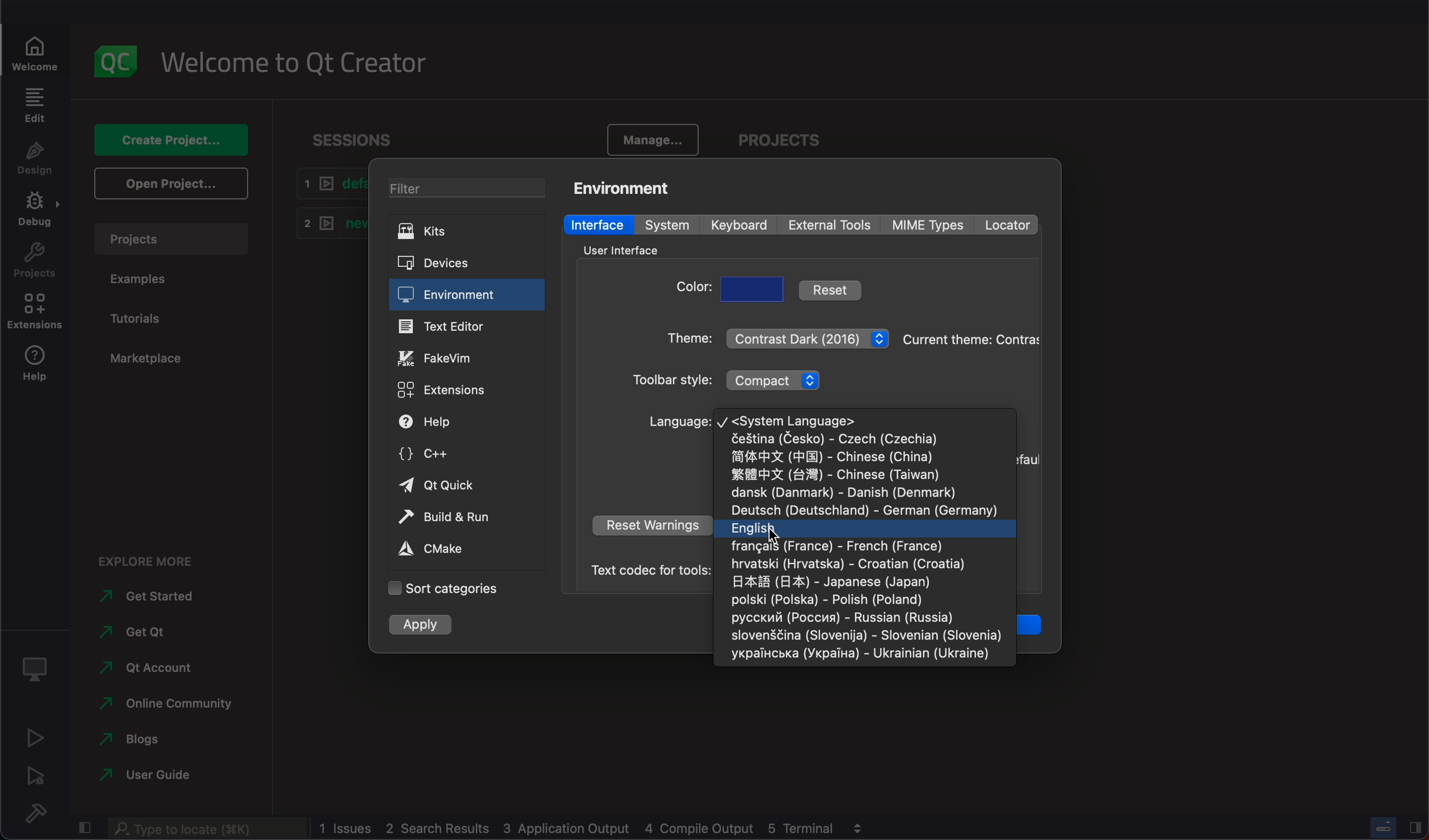 This screenshot has height=840, width=1429. Describe the element at coordinates (455, 548) in the screenshot. I see `cmake` at that location.